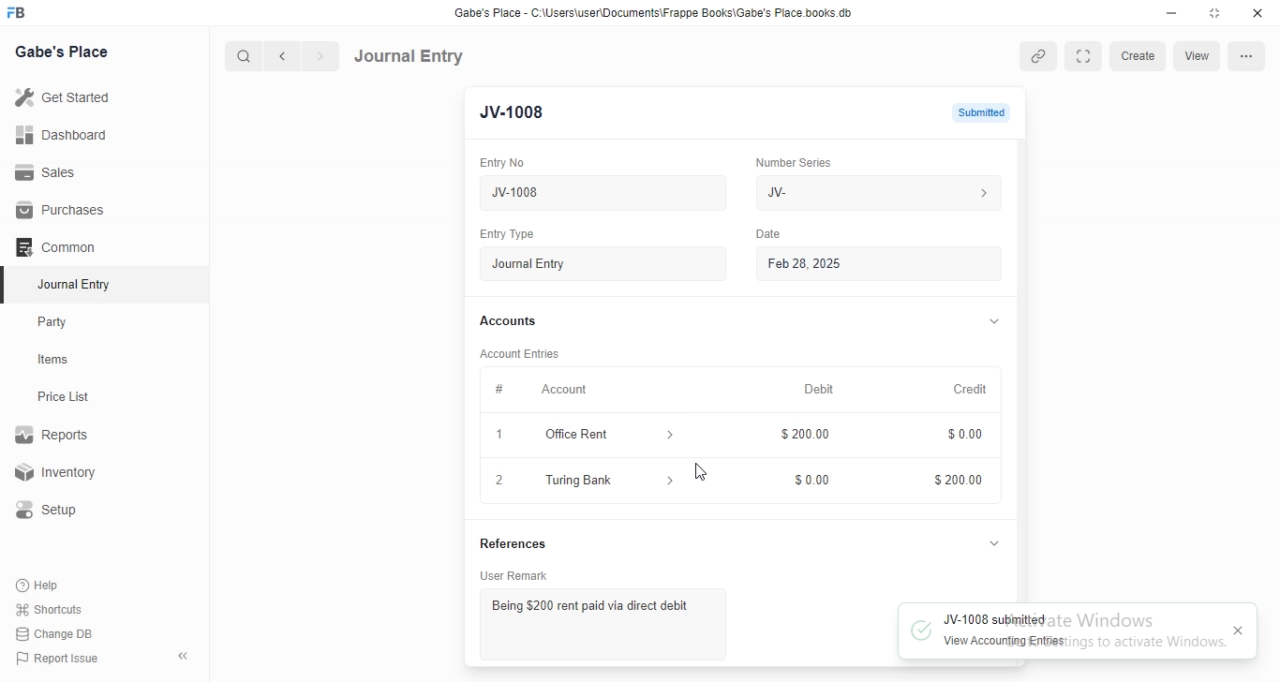 This screenshot has width=1280, height=682. Describe the element at coordinates (1243, 56) in the screenshot. I see `menu` at that location.